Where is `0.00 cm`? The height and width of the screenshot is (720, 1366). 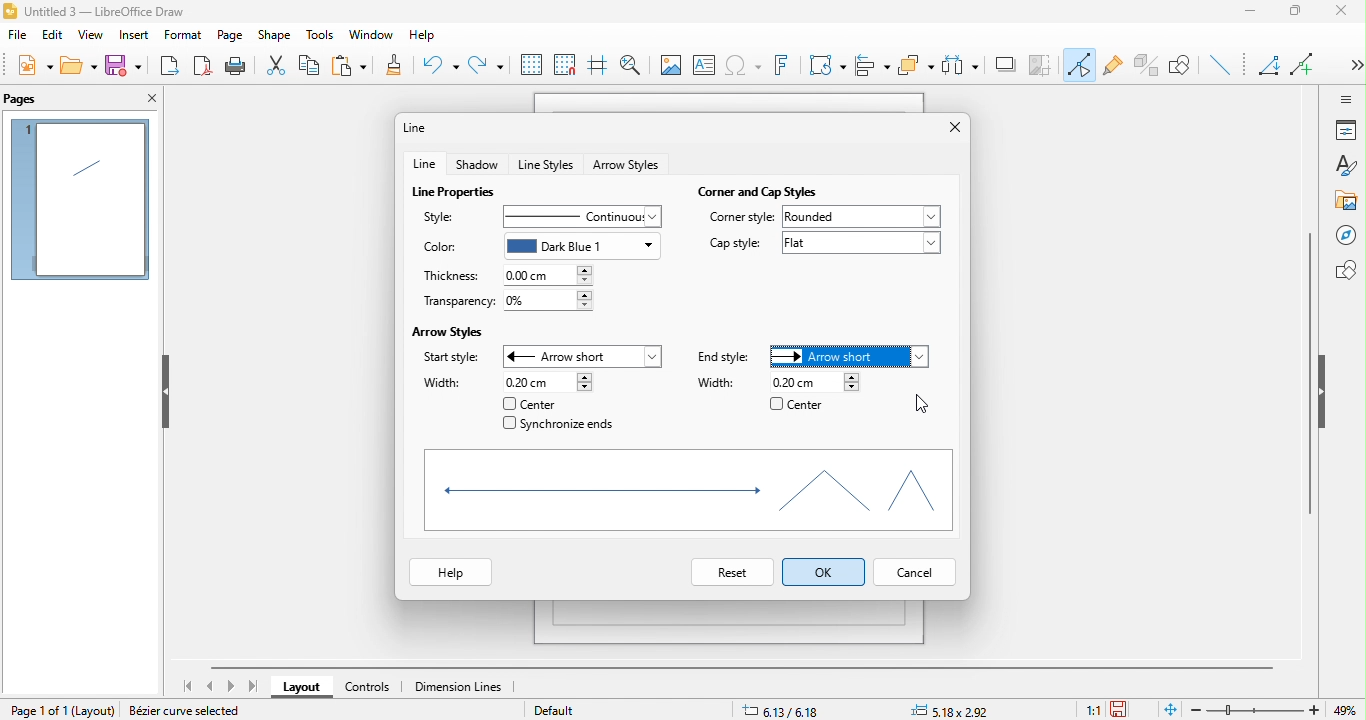
0.00 cm is located at coordinates (550, 275).